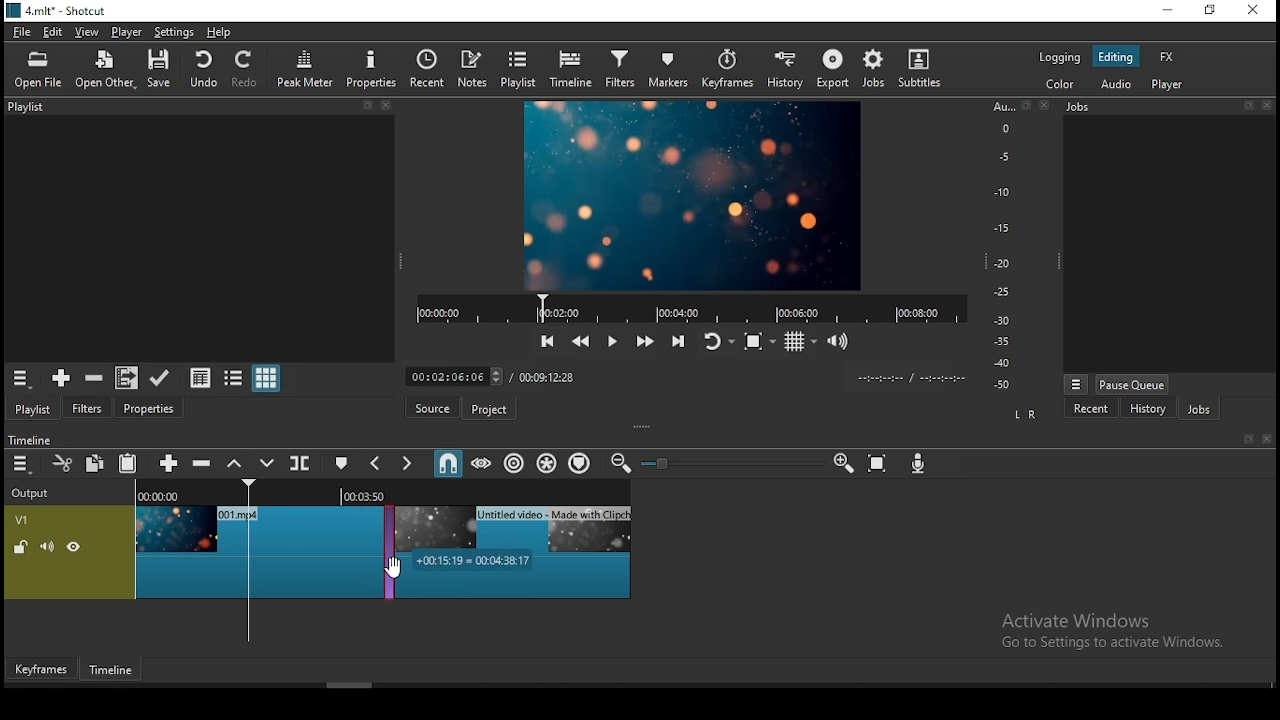 The image size is (1280, 720). I want to click on view as icons, so click(267, 379).